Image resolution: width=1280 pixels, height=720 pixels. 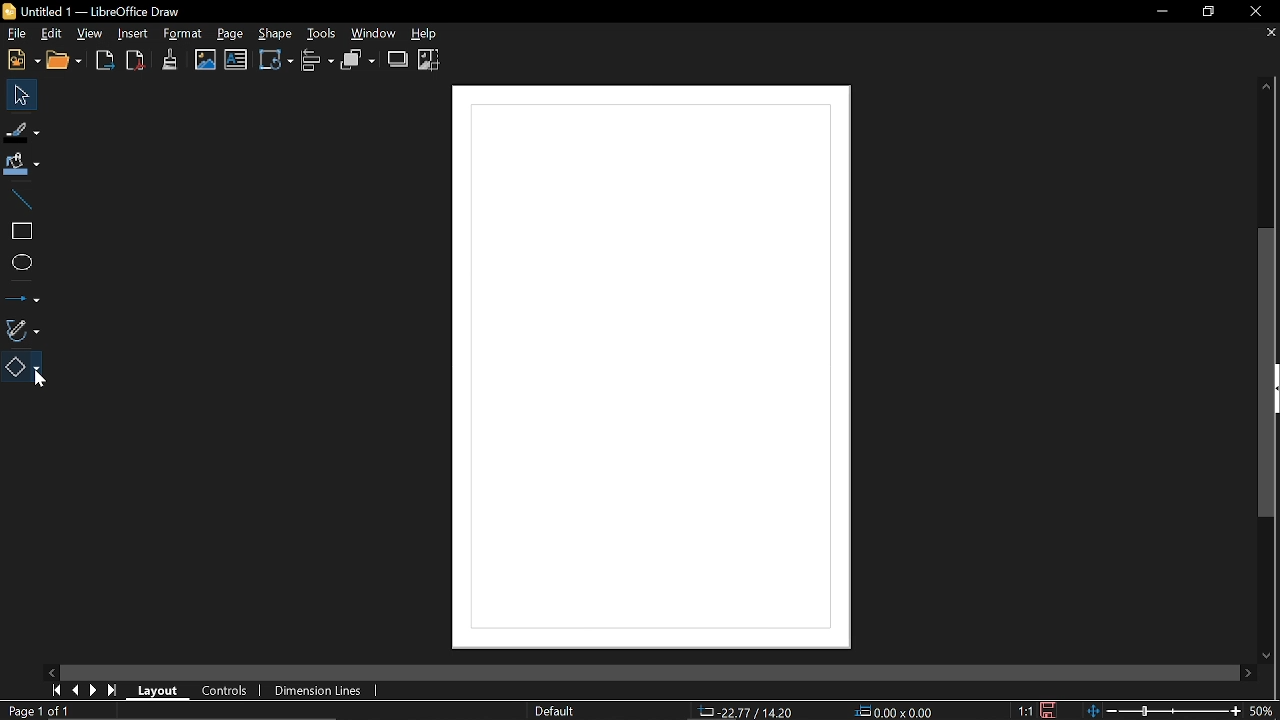 What do you see at coordinates (1268, 33) in the screenshot?
I see `Close page` at bounding box center [1268, 33].